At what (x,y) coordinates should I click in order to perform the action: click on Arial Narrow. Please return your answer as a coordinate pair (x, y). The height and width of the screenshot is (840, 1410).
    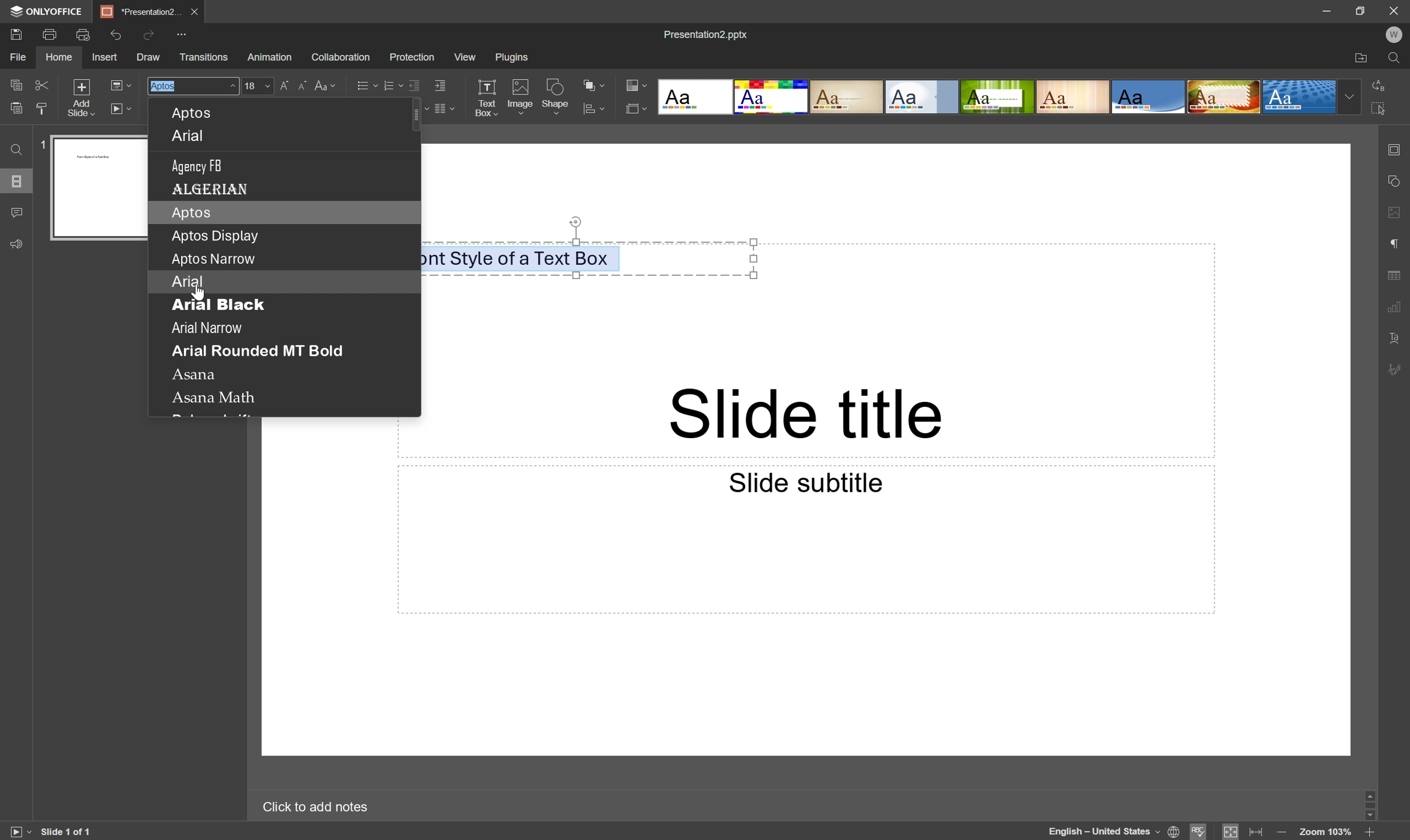
    Looking at the image, I should click on (206, 329).